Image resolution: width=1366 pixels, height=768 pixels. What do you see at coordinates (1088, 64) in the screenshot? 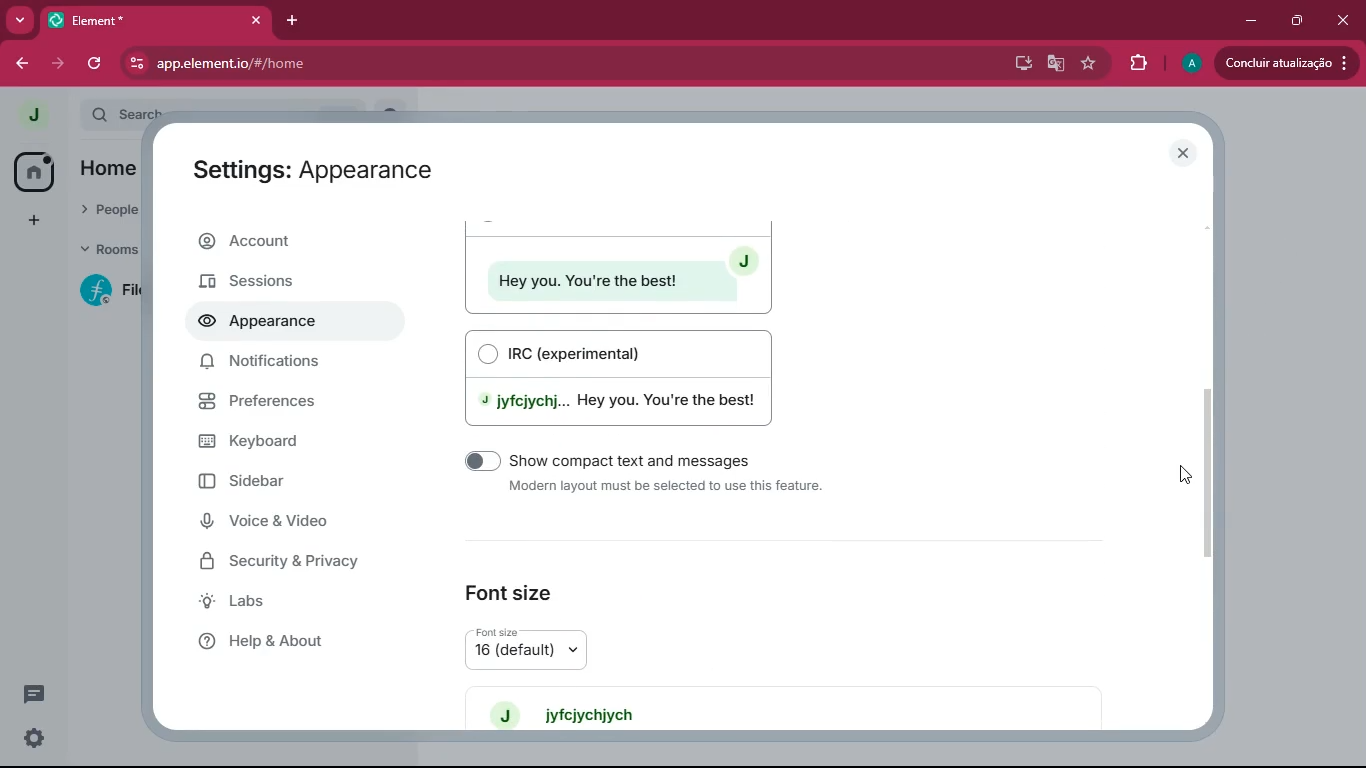
I see `favourite ` at bounding box center [1088, 64].